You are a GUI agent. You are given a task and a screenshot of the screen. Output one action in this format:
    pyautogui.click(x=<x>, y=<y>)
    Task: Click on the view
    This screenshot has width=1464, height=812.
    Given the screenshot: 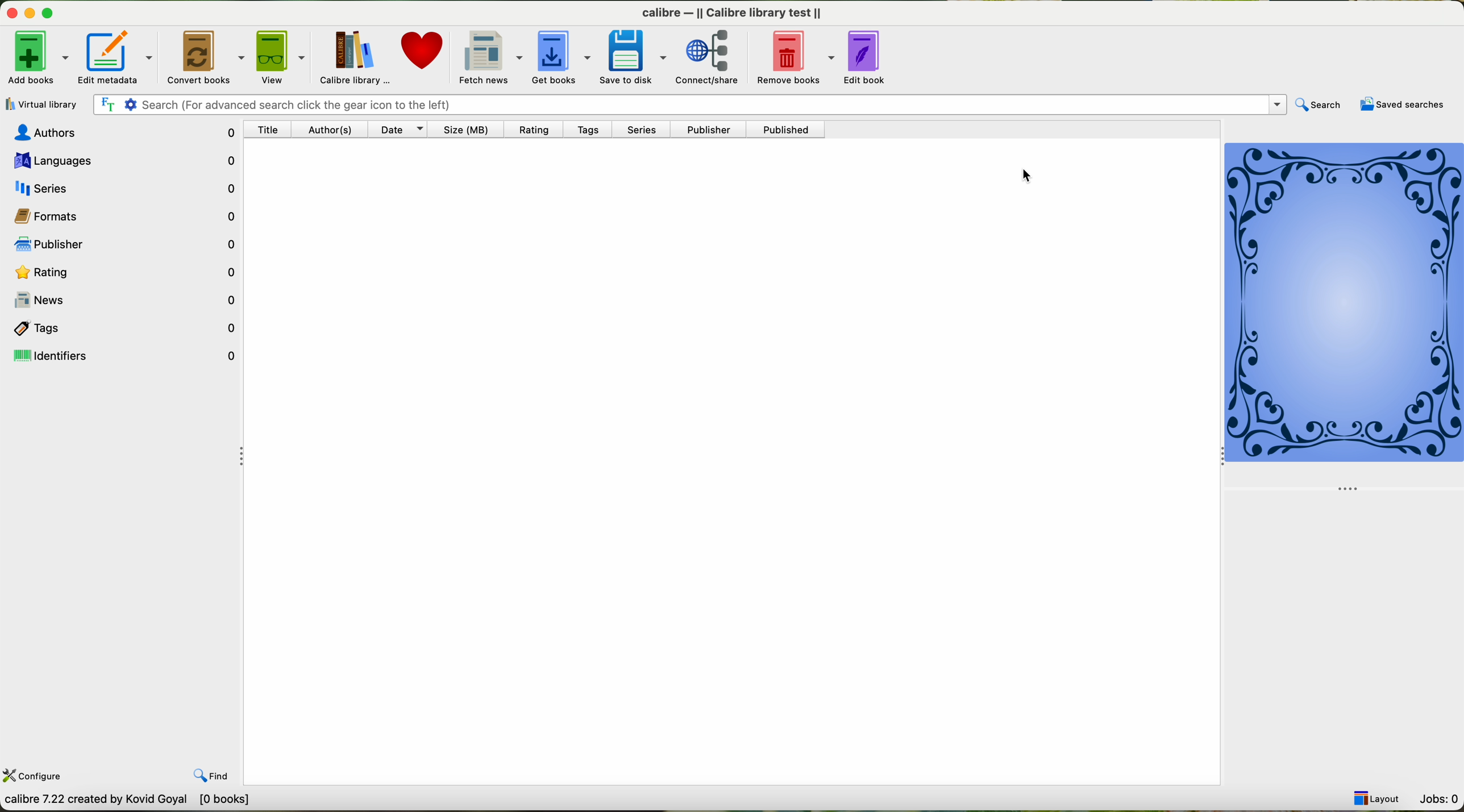 What is the action you would take?
    pyautogui.click(x=281, y=57)
    